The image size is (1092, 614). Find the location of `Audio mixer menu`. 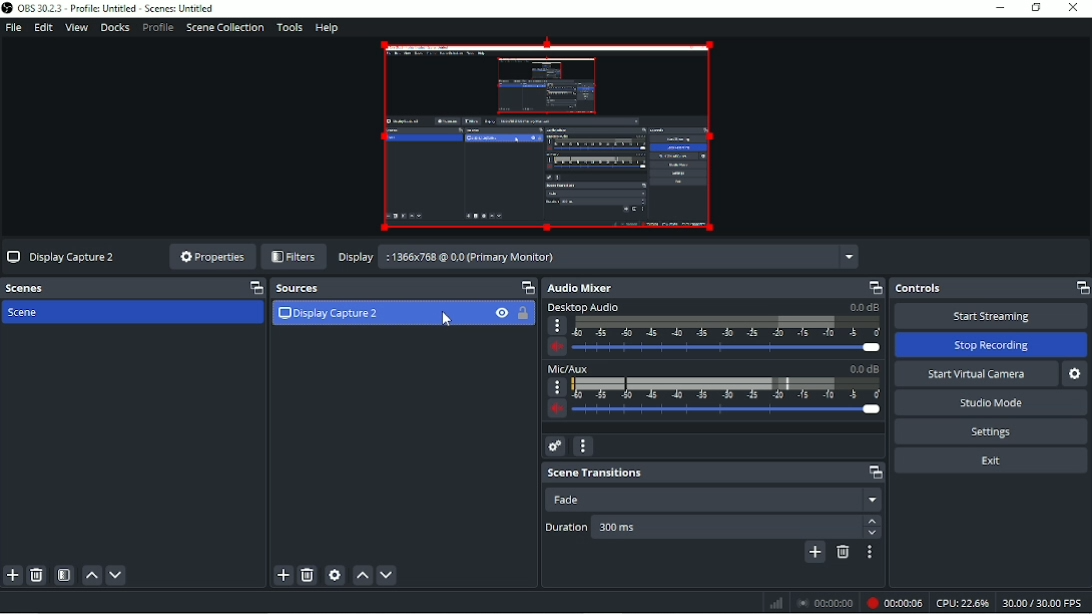

Audio mixer menu is located at coordinates (583, 446).